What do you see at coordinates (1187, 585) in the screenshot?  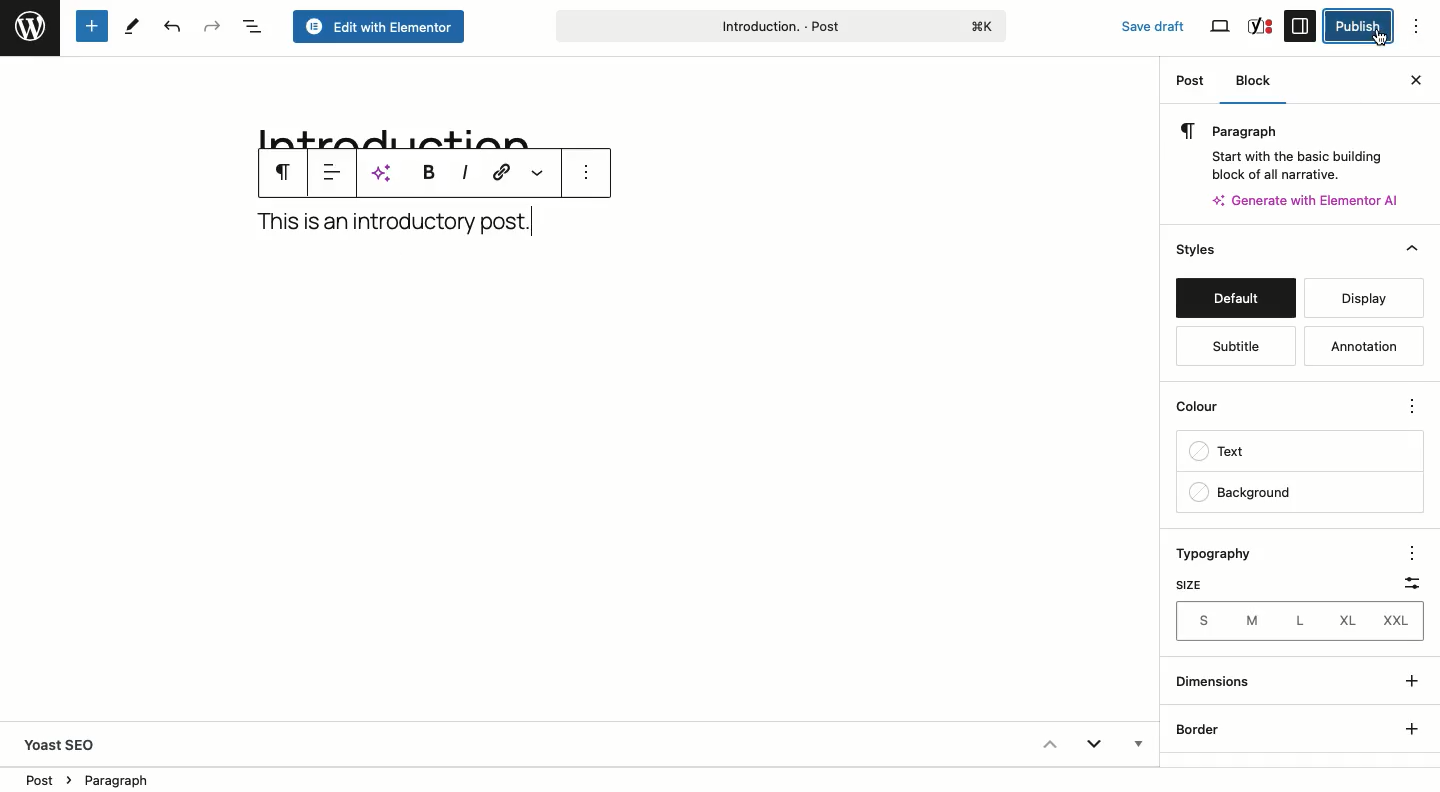 I see `Size` at bounding box center [1187, 585].